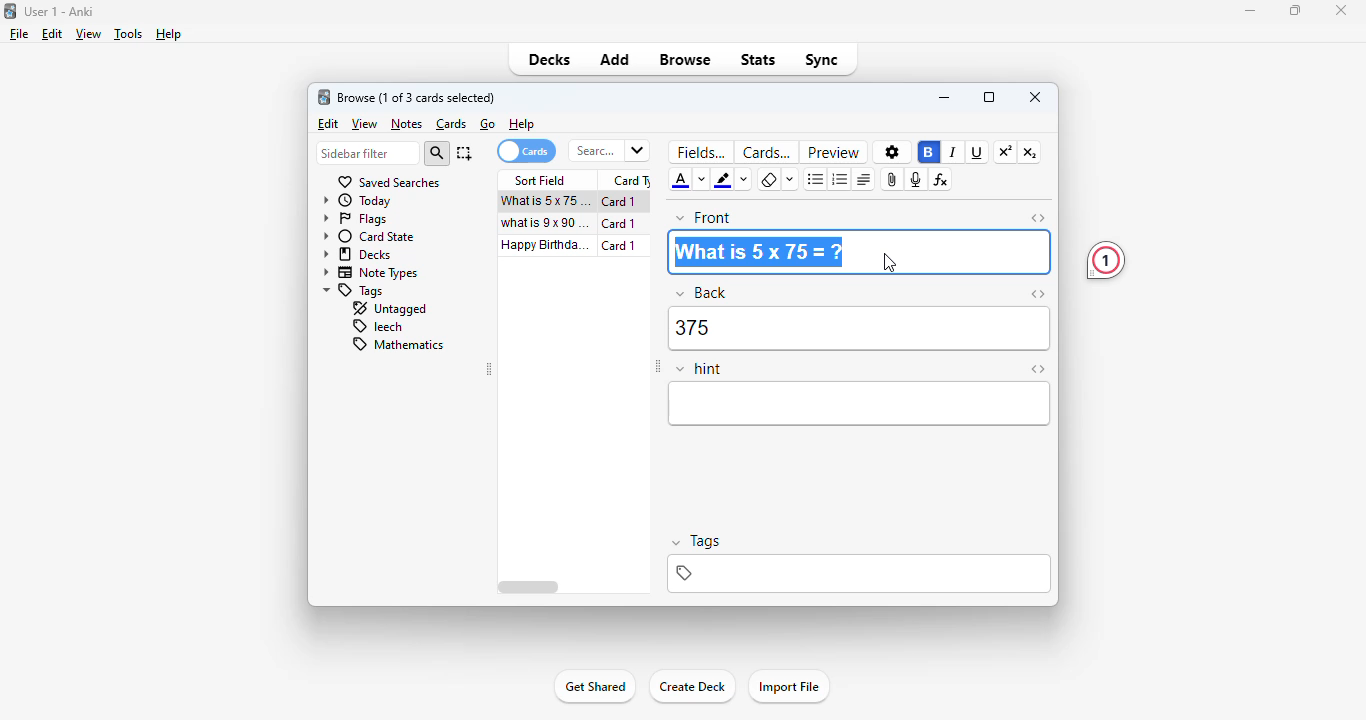 This screenshot has height=720, width=1366. Describe the element at coordinates (680, 181) in the screenshot. I see `text color` at that location.